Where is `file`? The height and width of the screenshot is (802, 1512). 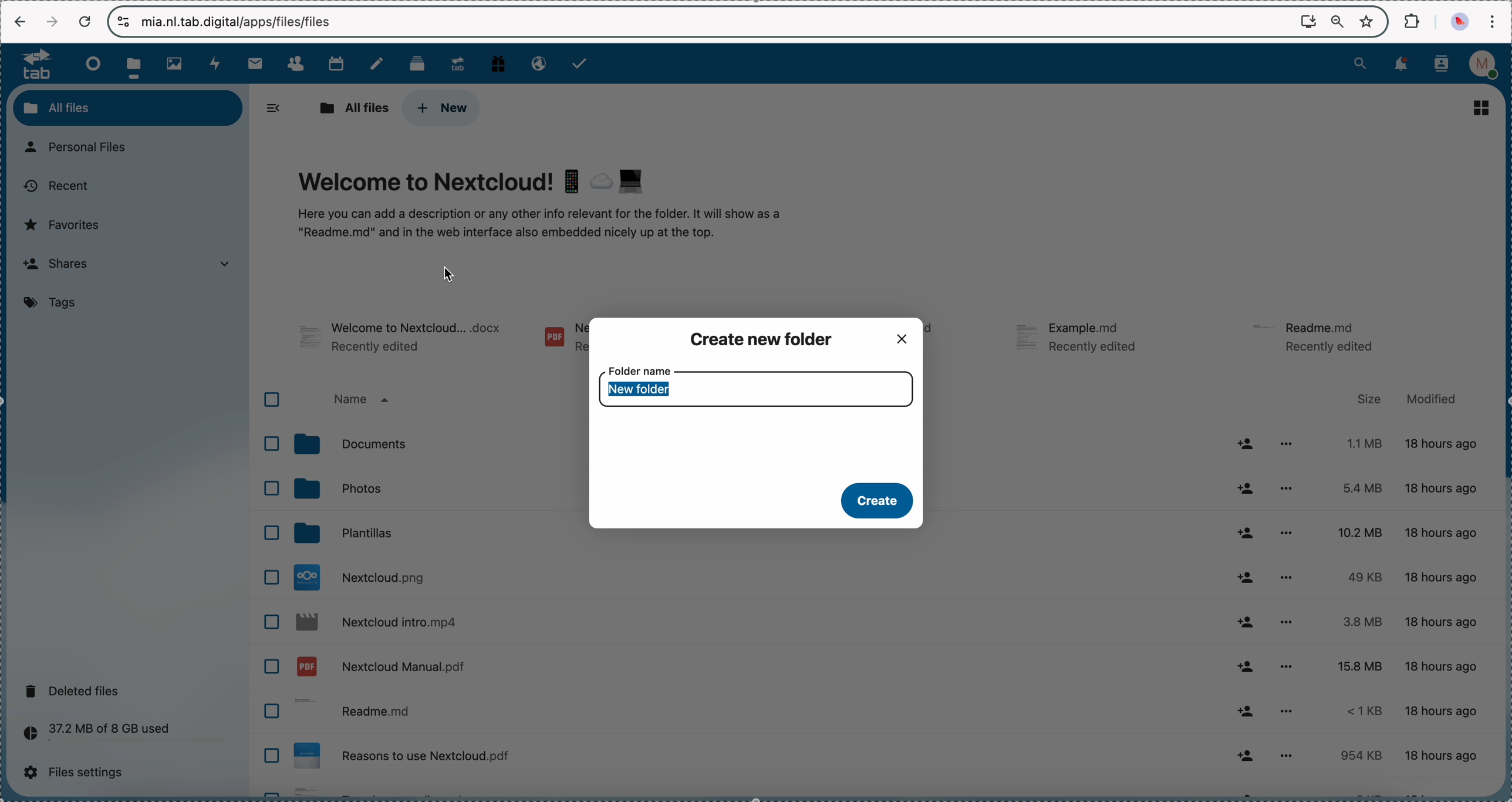
file is located at coordinates (879, 791).